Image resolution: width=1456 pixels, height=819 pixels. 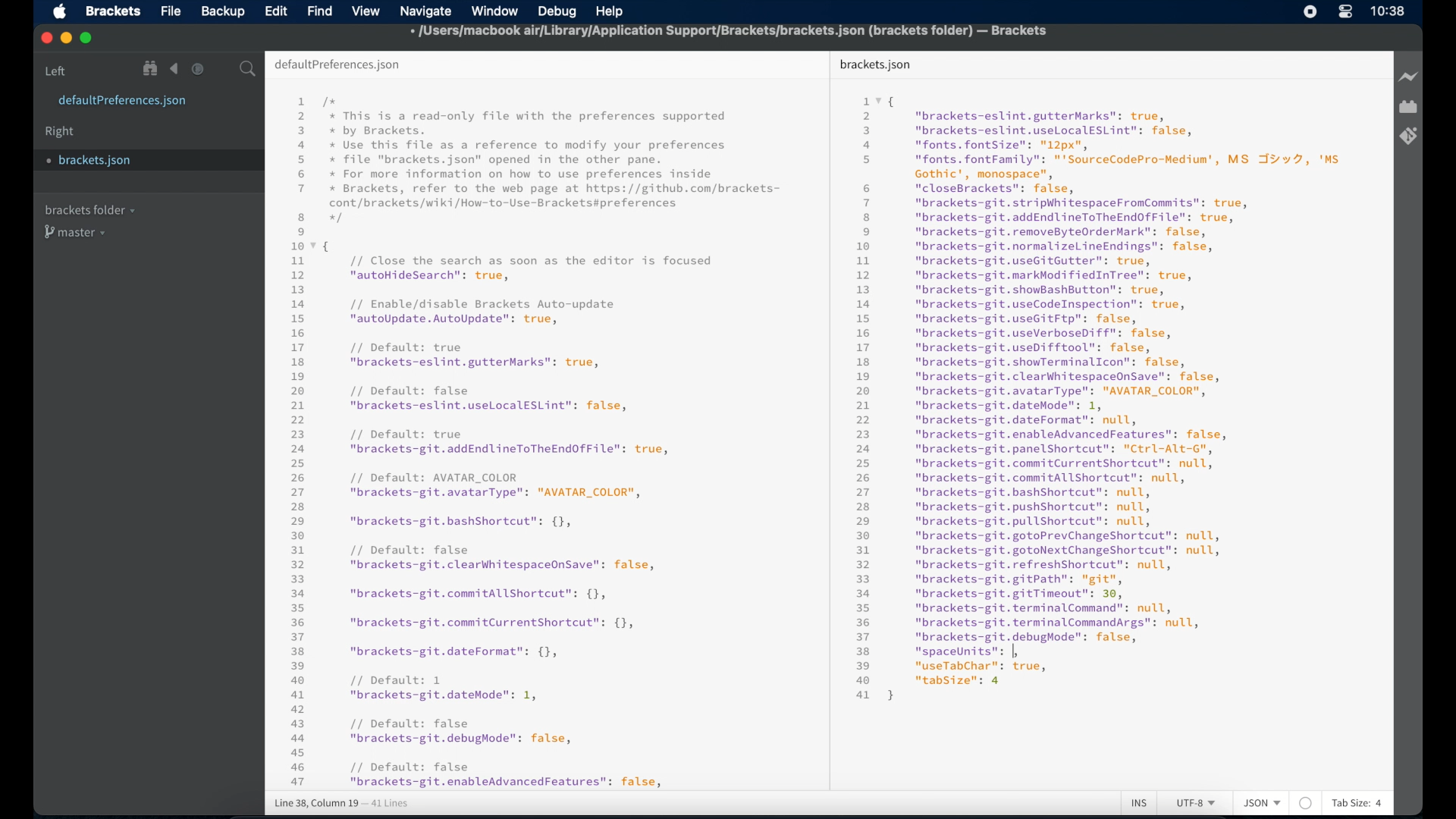 I want to click on find, so click(x=320, y=11).